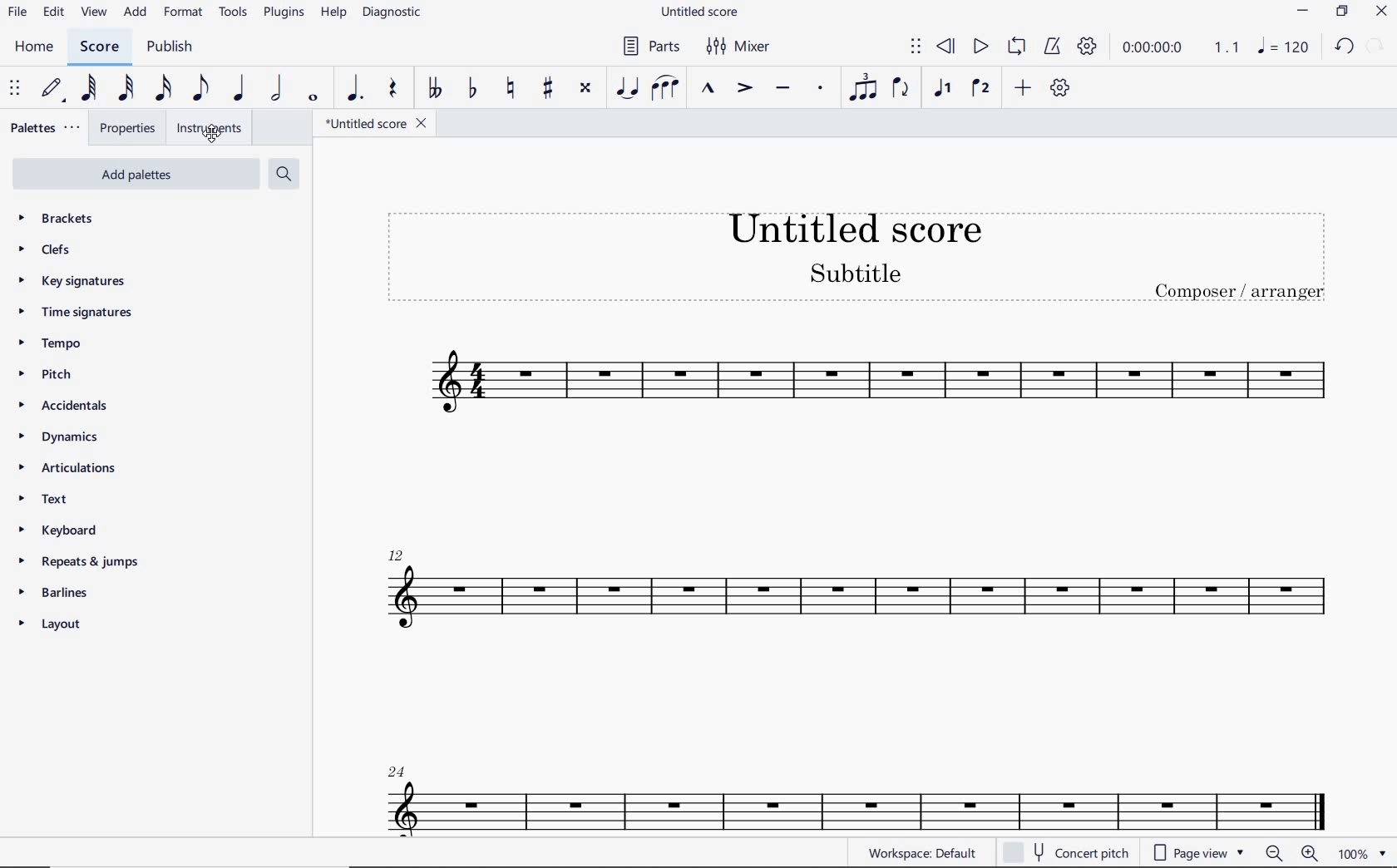 This screenshot has width=1397, height=868. I want to click on TOOLS, so click(234, 13).